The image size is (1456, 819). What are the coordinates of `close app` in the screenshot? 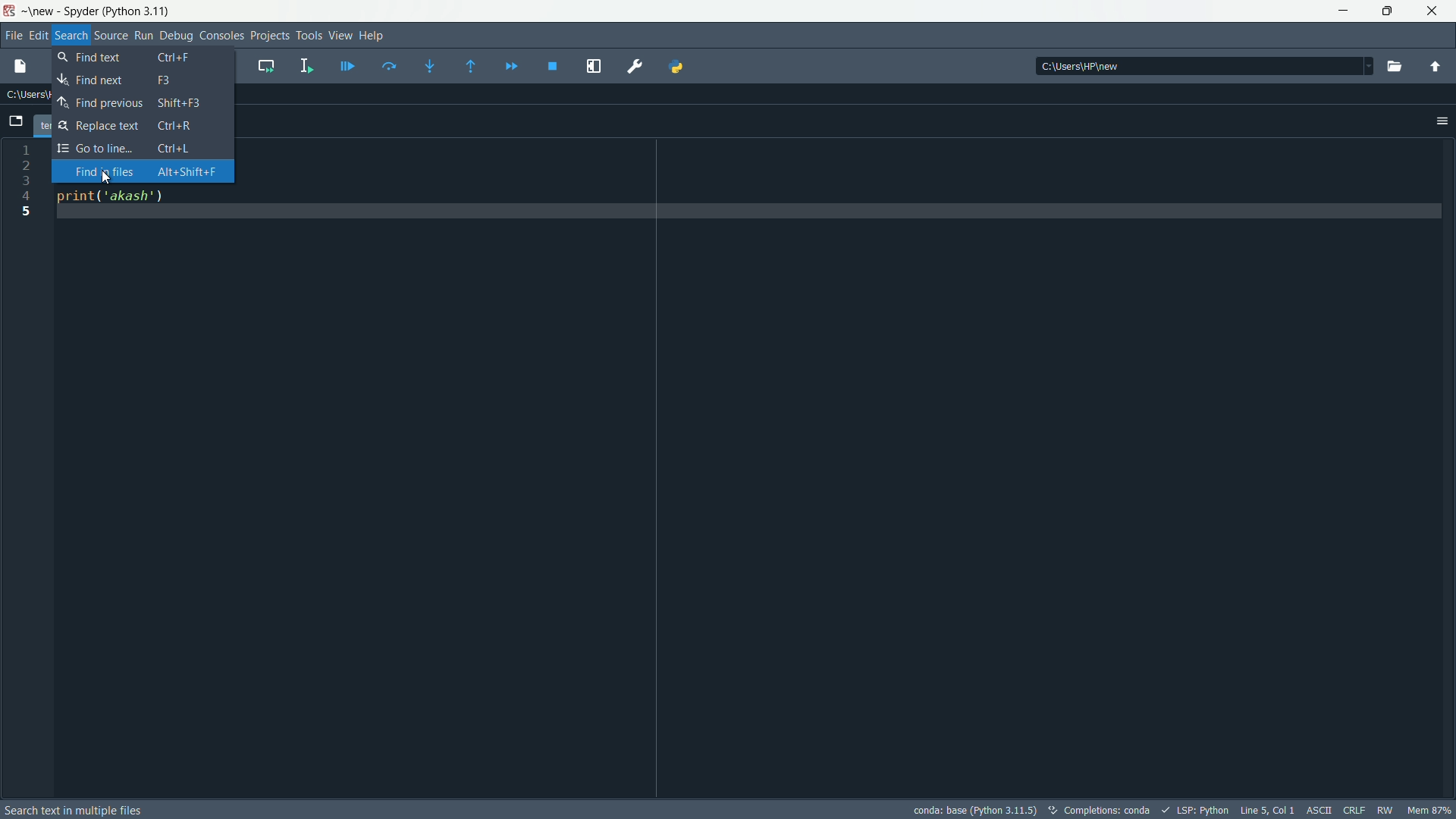 It's located at (1437, 11).